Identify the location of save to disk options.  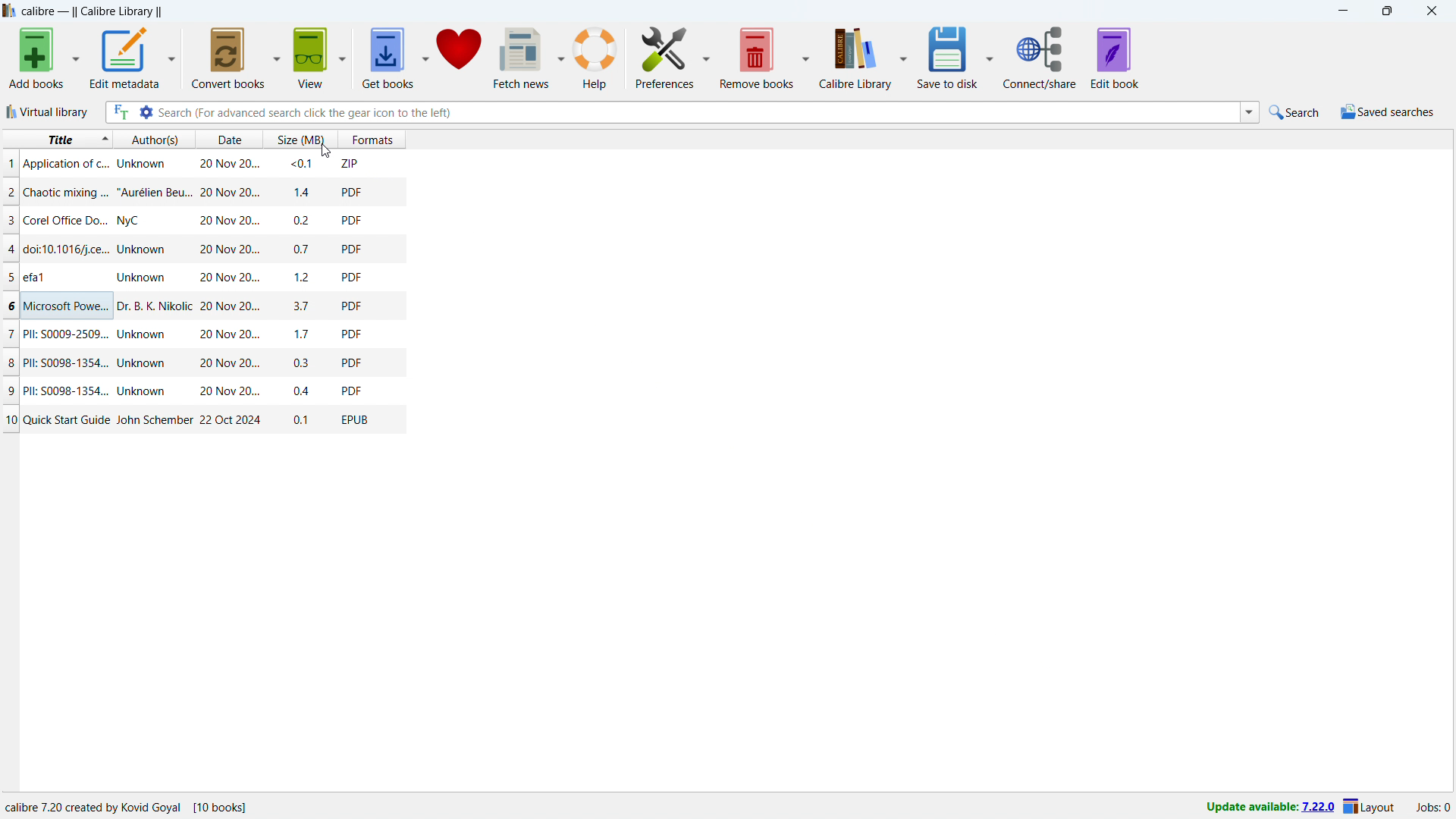
(807, 57).